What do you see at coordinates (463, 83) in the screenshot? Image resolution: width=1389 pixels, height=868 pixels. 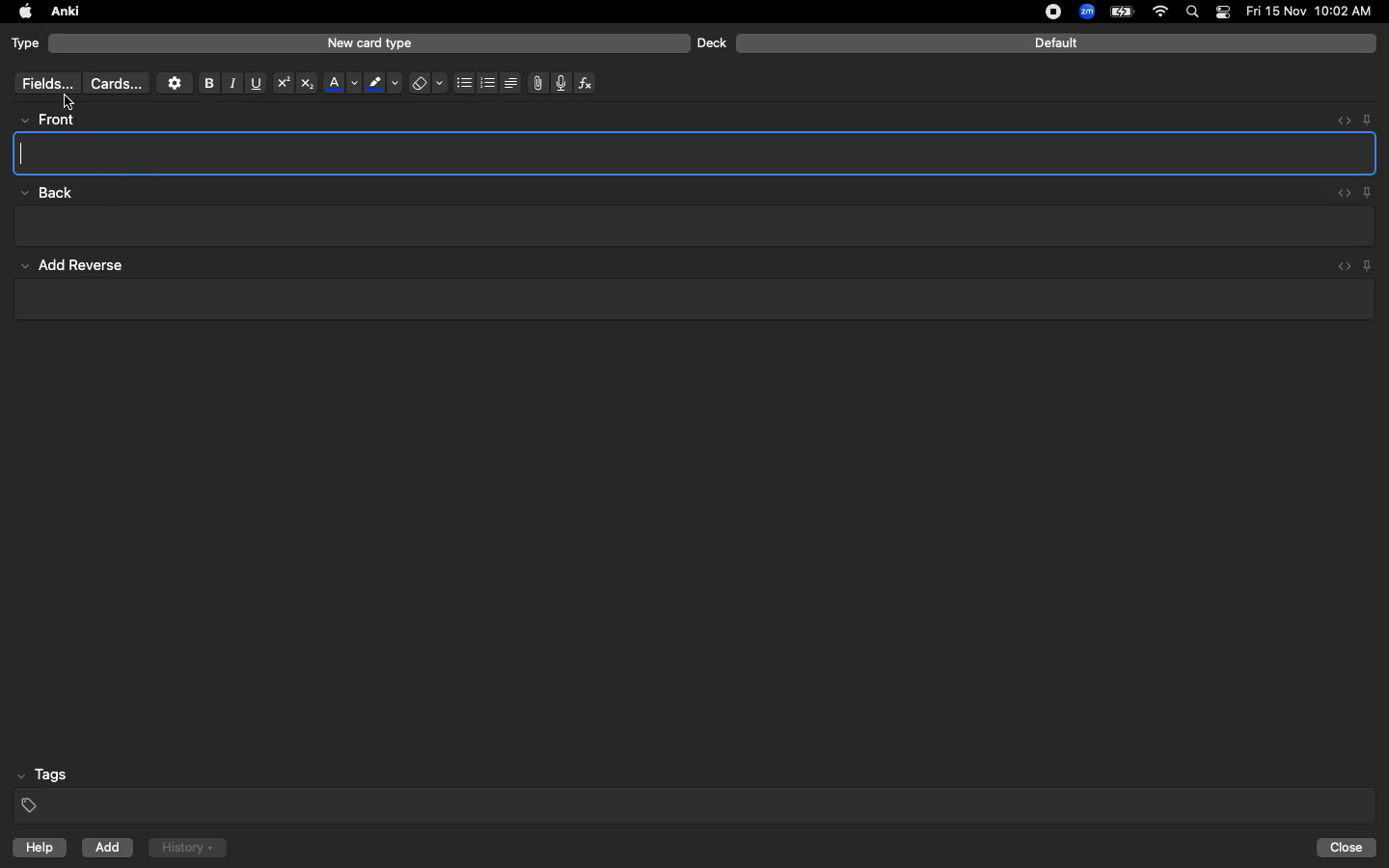 I see `Bullet` at bounding box center [463, 83].